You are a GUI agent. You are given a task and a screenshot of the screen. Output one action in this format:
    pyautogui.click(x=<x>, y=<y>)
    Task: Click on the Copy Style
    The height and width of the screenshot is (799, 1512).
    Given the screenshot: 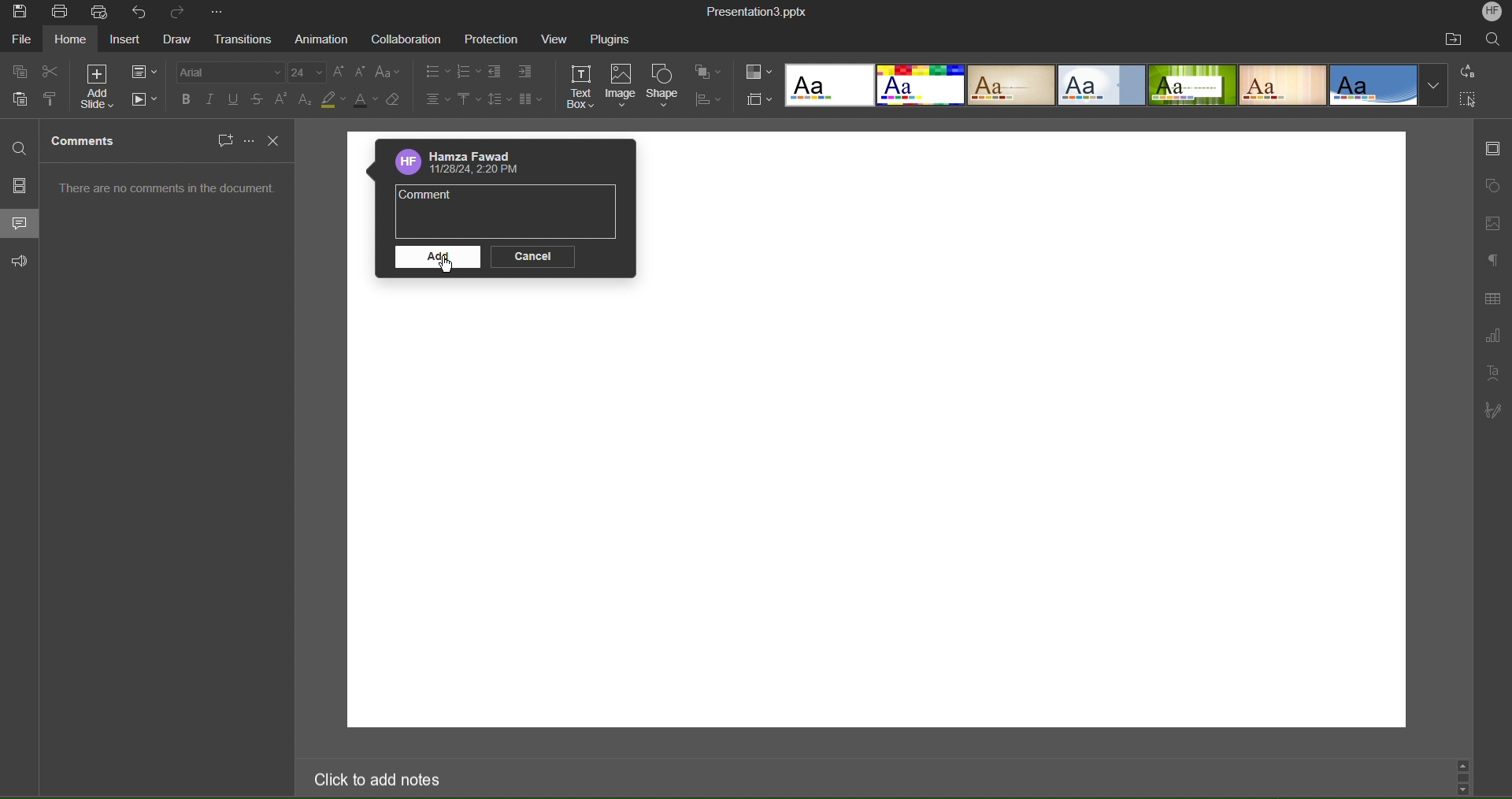 What is the action you would take?
    pyautogui.click(x=49, y=99)
    